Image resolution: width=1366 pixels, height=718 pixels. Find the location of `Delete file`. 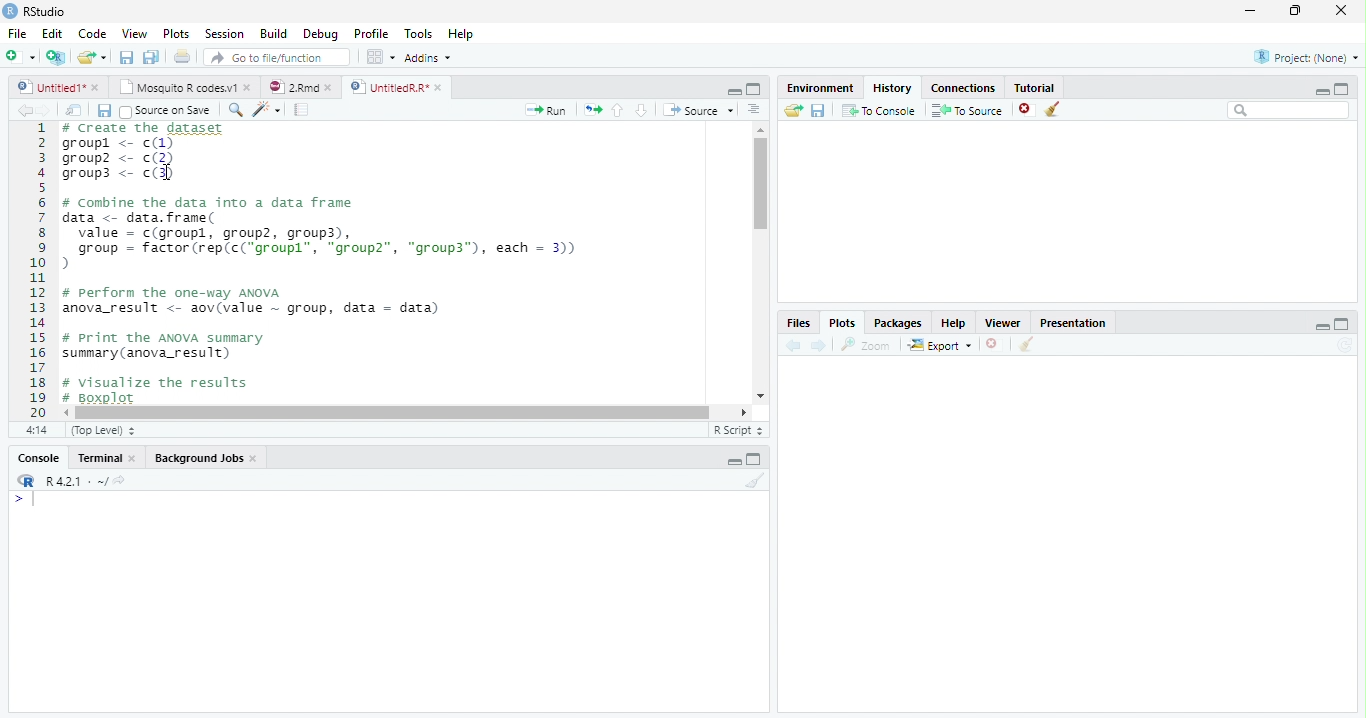

Delete file is located at coordinates (1028, 109).